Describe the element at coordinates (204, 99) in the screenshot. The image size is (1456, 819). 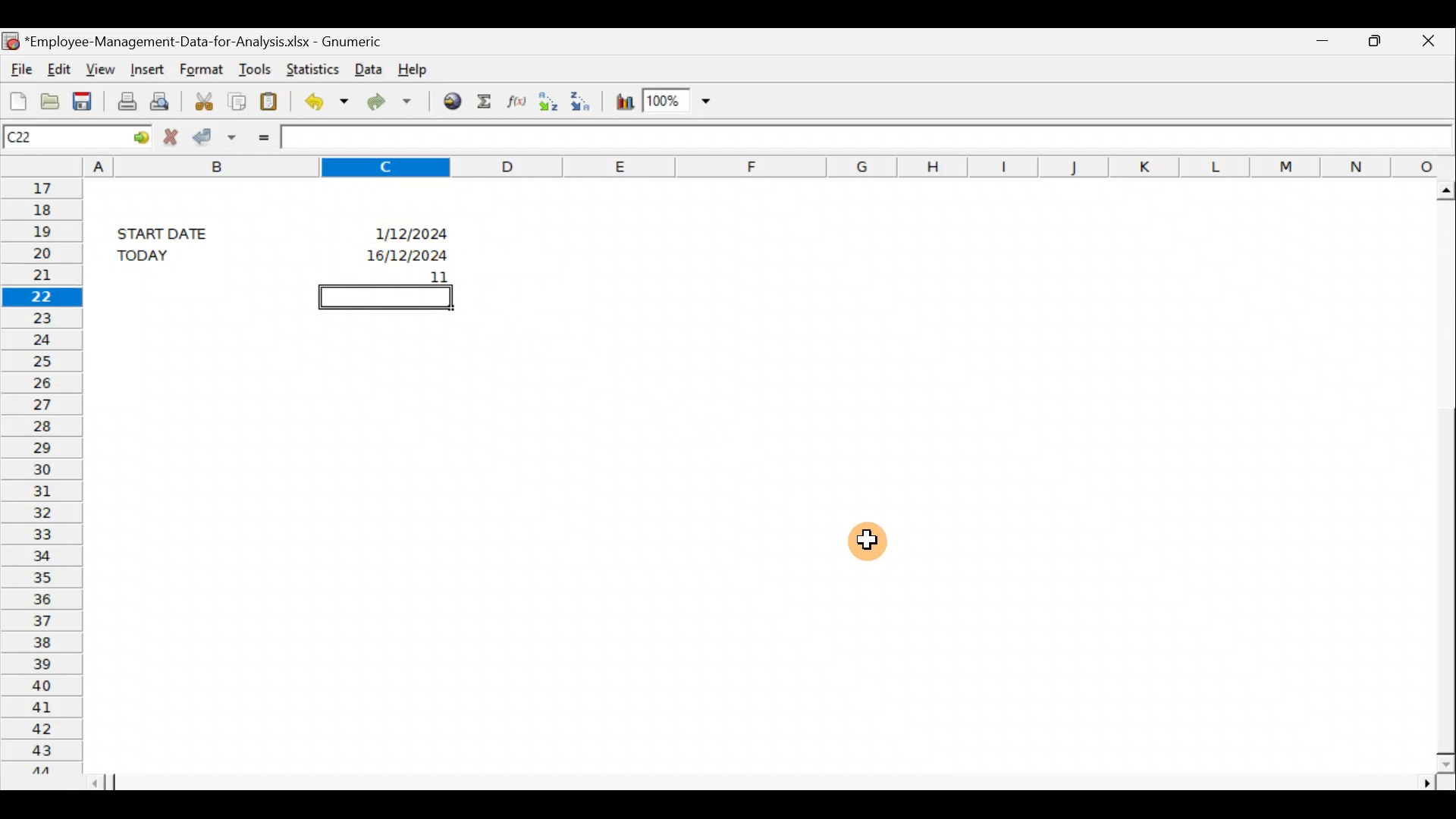
I see `Cut the selection` at that location.